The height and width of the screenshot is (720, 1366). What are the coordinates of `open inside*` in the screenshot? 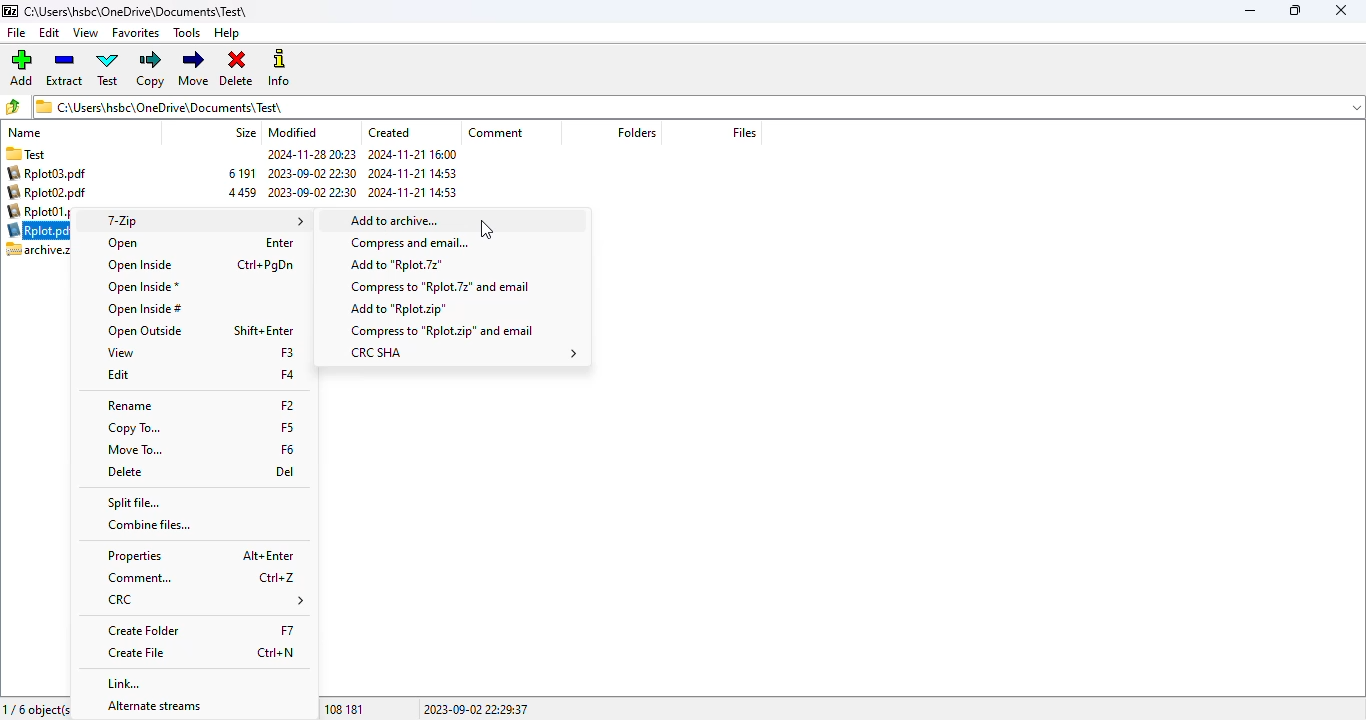 It's located at (144, 287).